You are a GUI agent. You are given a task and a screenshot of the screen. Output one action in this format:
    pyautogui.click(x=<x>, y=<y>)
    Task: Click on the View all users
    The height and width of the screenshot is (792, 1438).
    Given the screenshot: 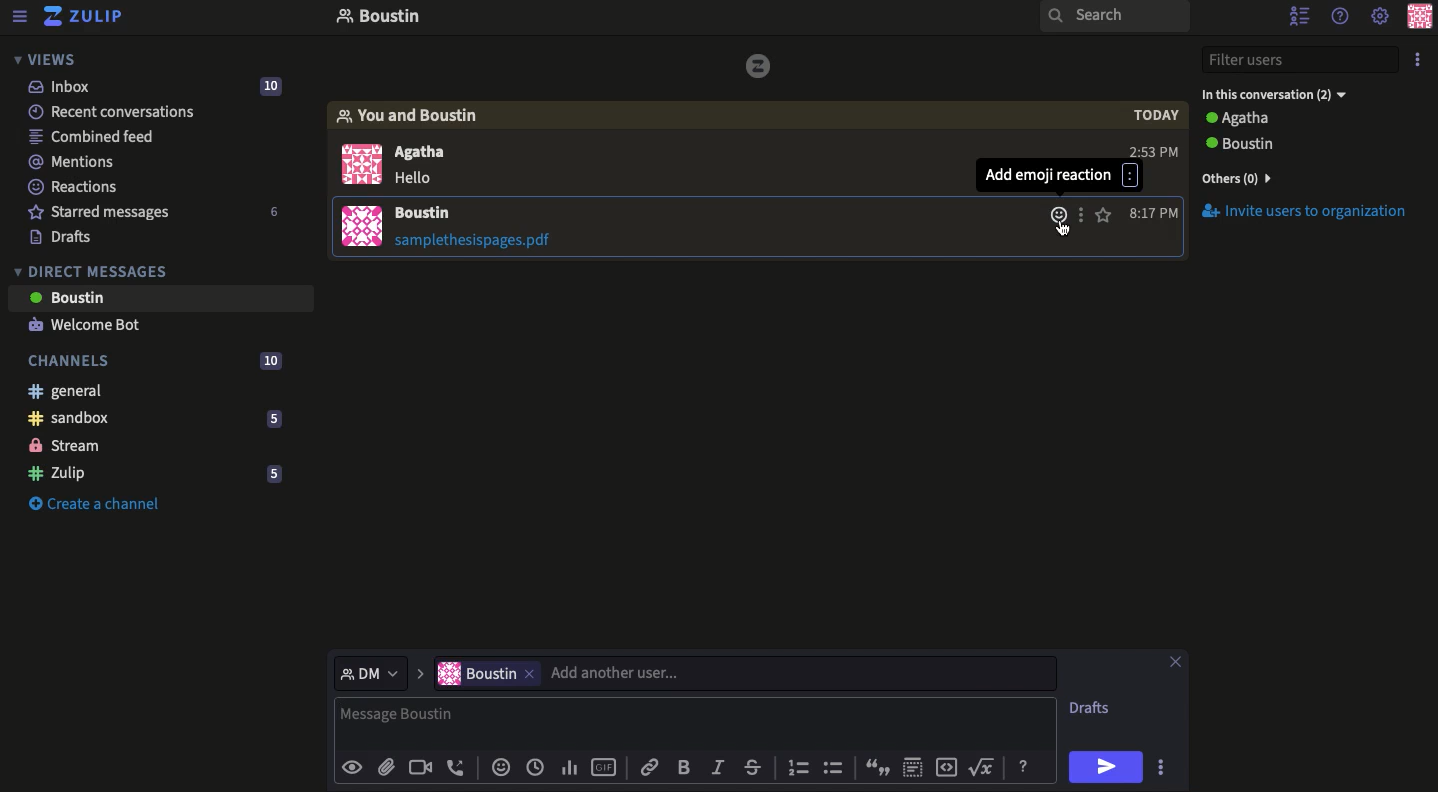 What is the action you would take?
    pyautogui.click(x=1258, y=181)
    